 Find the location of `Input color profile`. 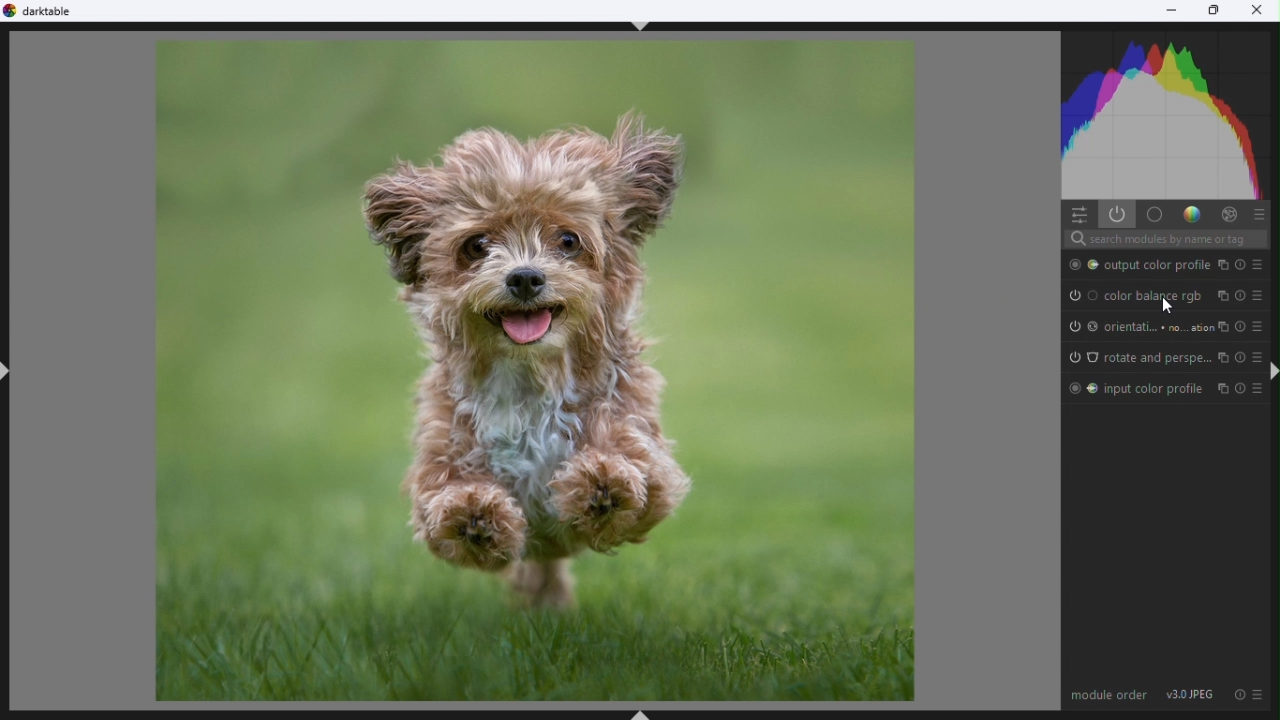

Input color profile is located at coordinates (1166, 387).